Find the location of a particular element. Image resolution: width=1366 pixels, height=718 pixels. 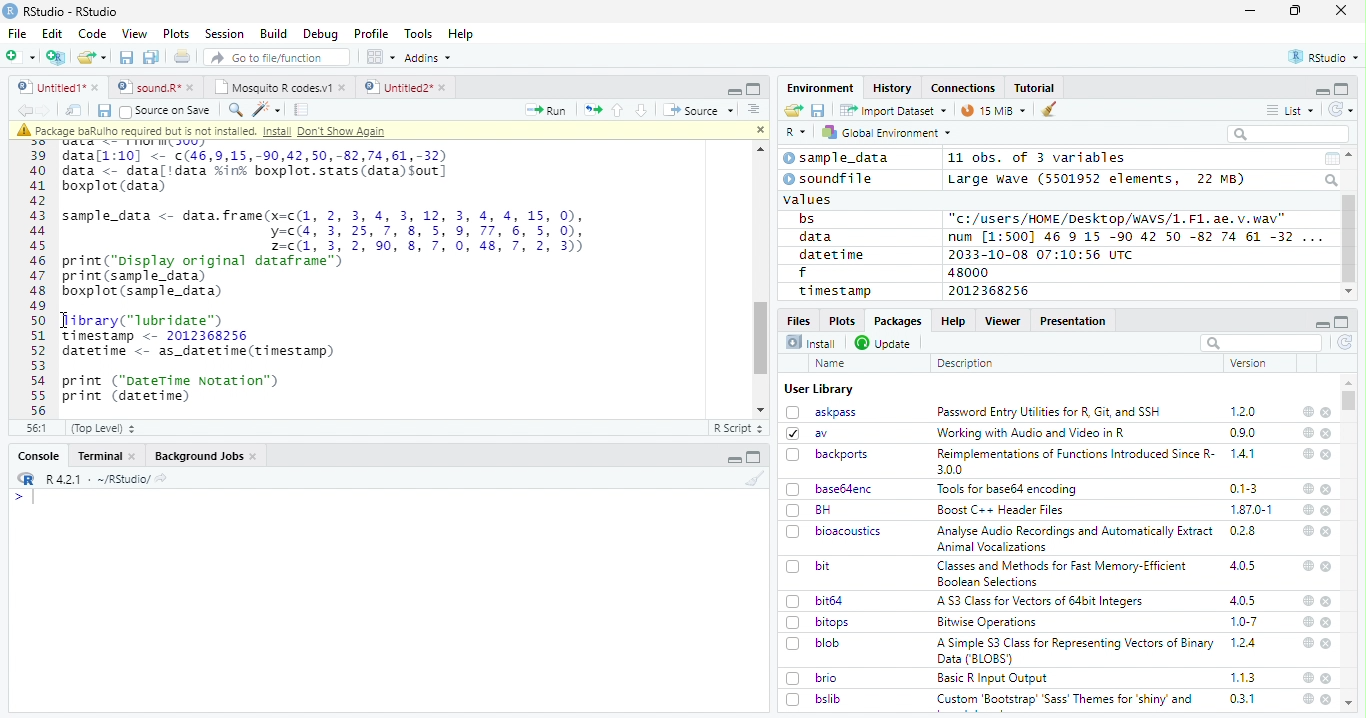

close is located at coordinates (1341, 9).